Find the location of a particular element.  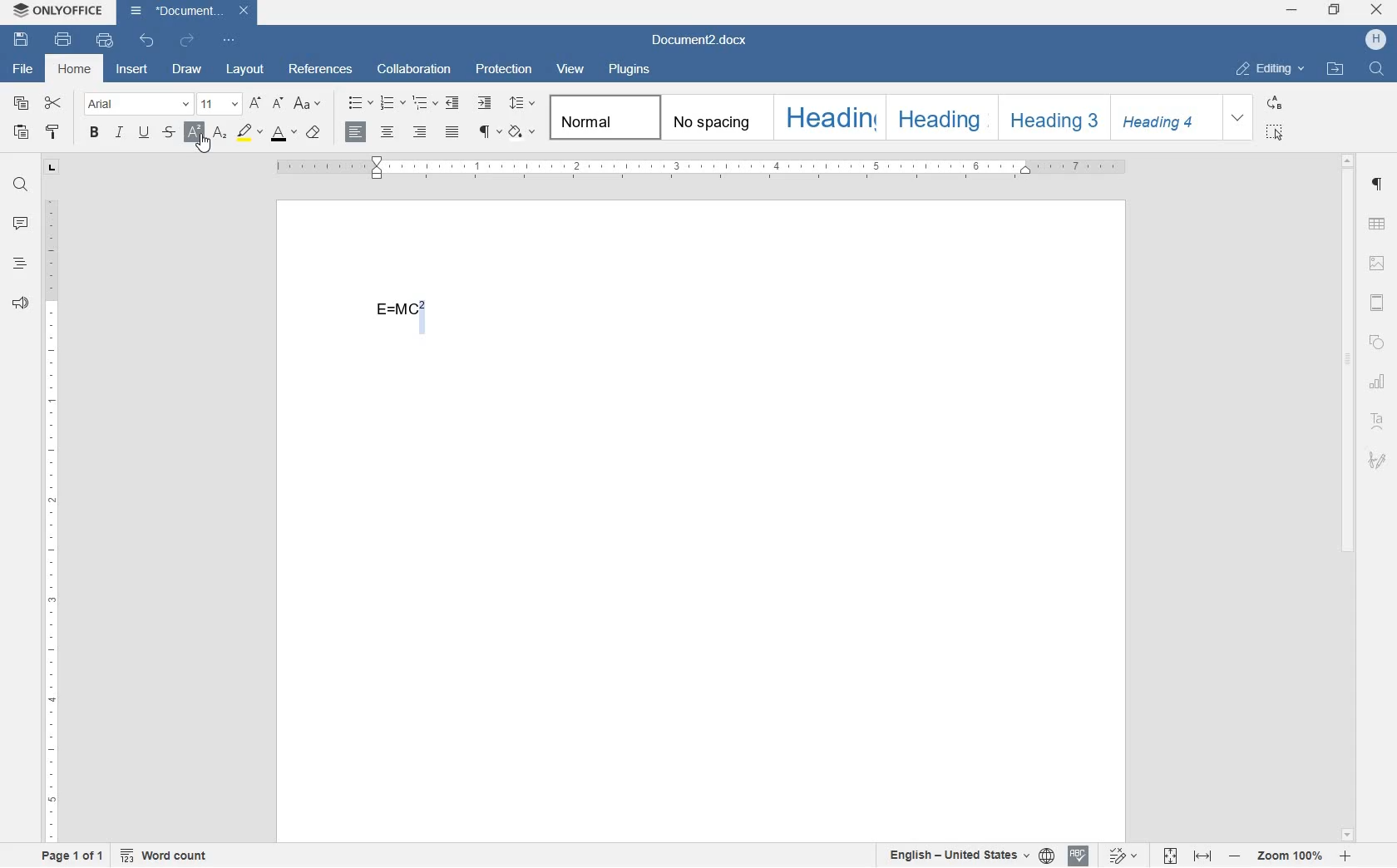

no spacing is located at coordinates (713, 116).